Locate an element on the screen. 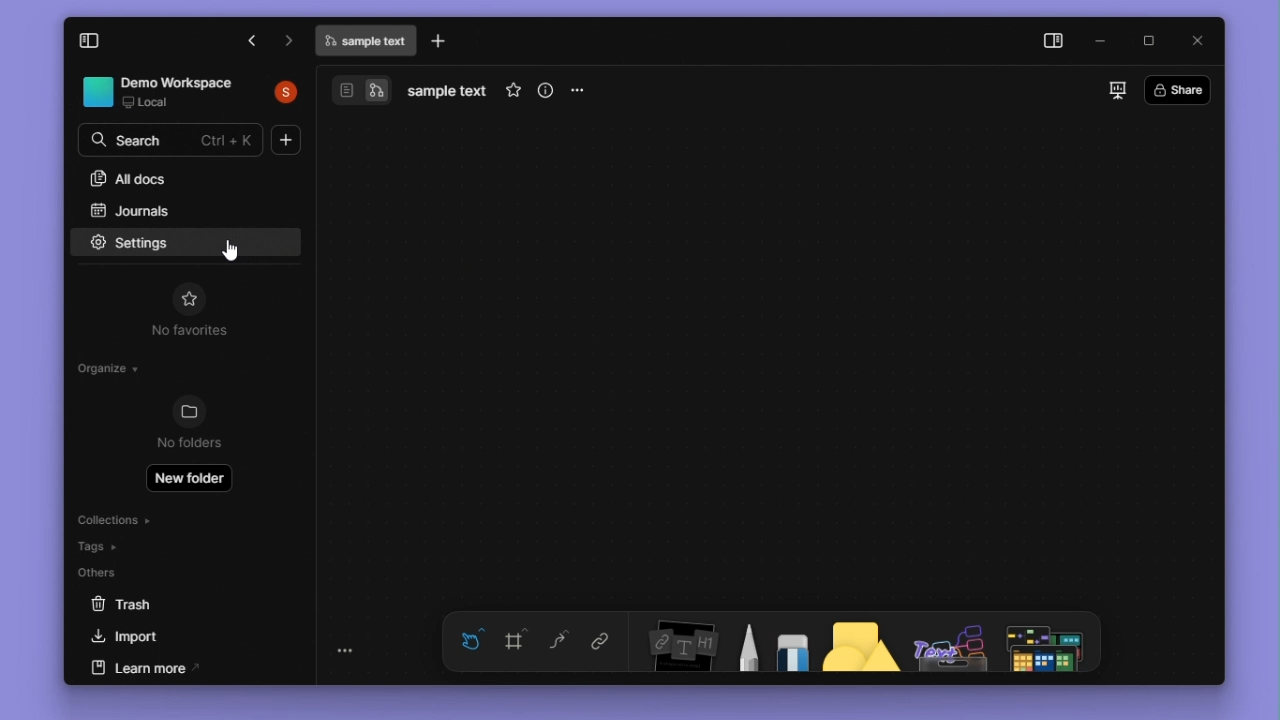  journals is located at coordinates (182, 212).